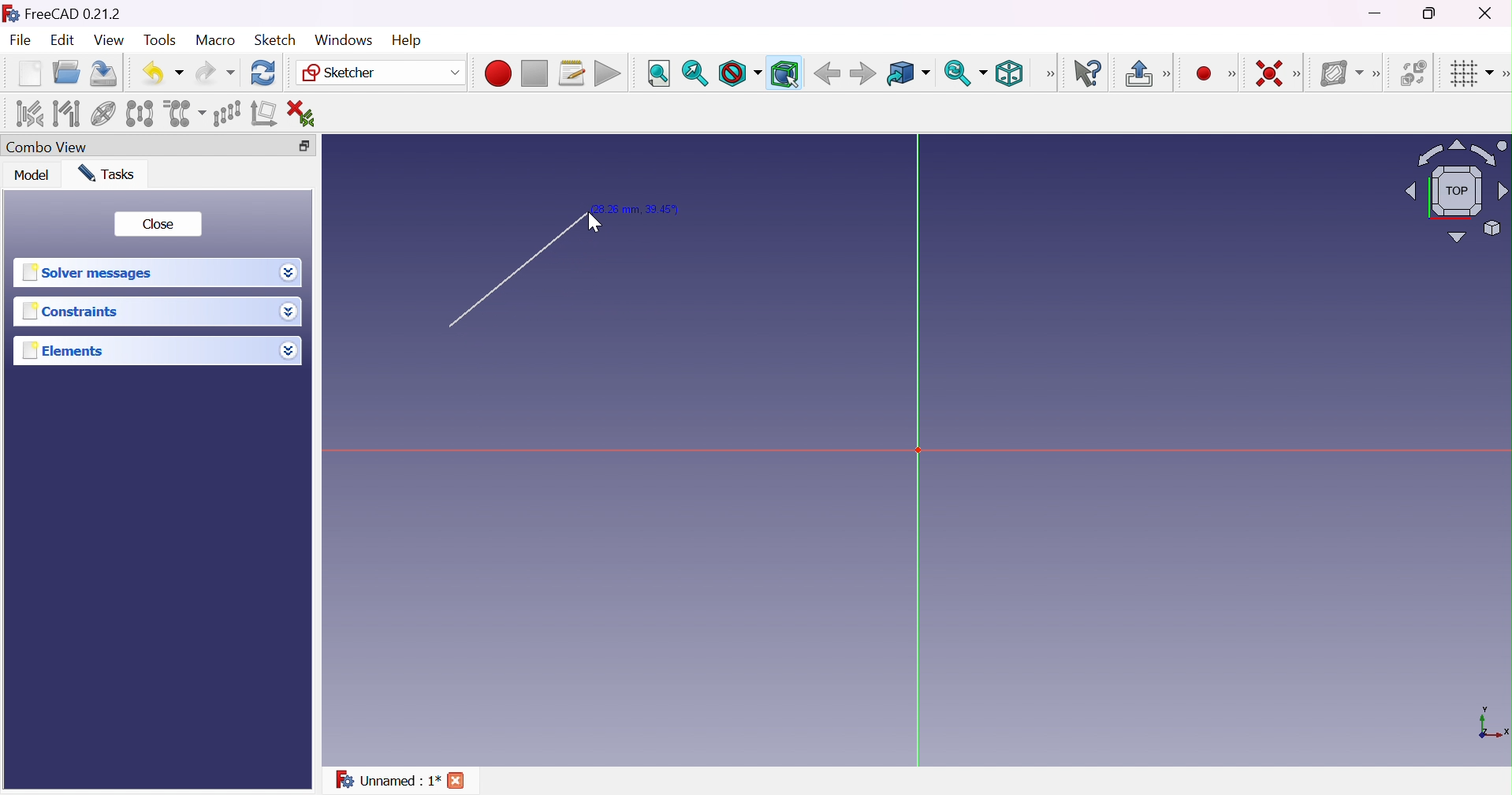  What do you see at coordinates (264, 115) in the screenshot?
I see `Remove axes alignment` at bounding box center [264, 115].